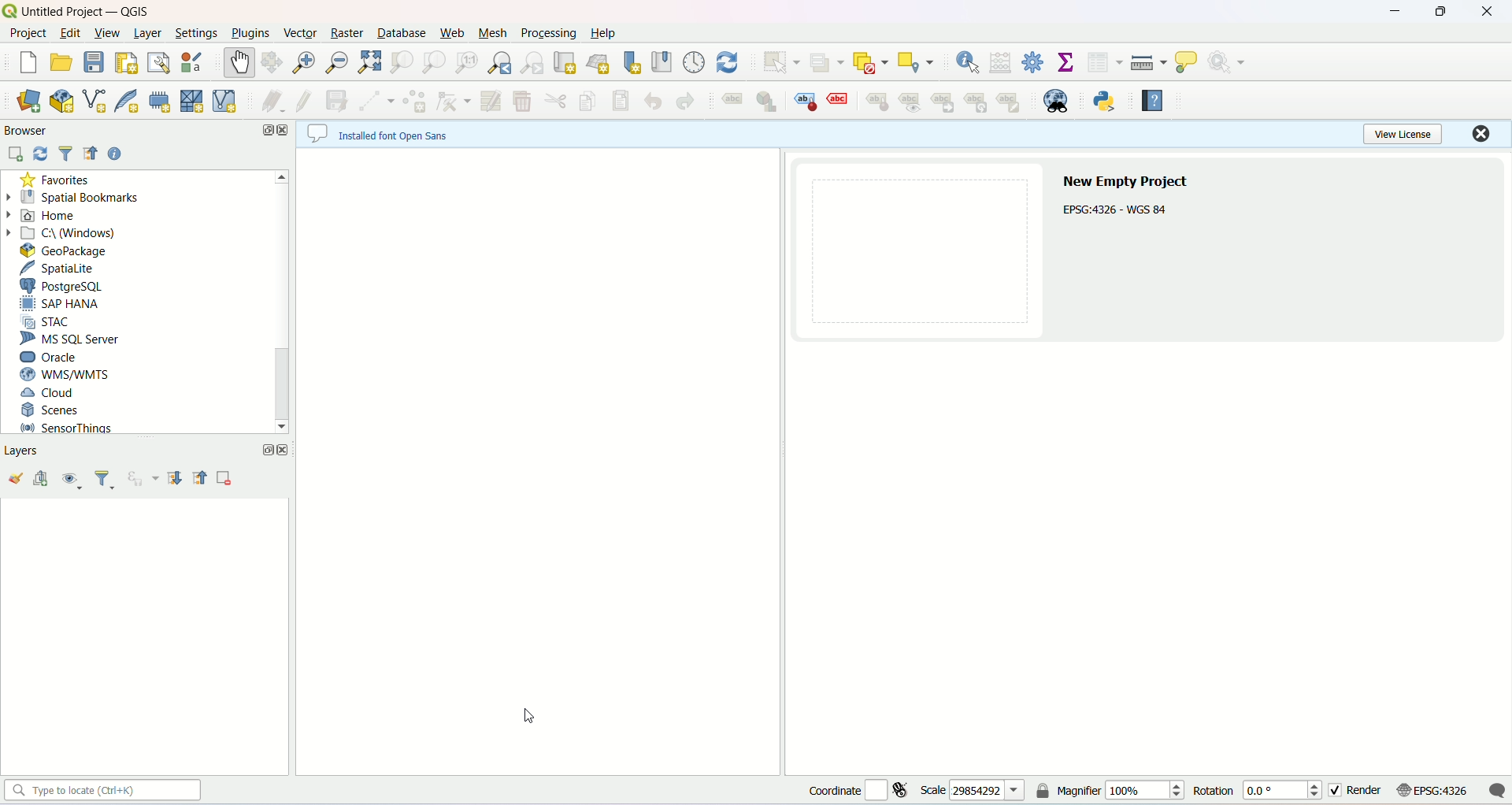 Image resolution: width=1512 pixels, height=805 pixels. I want to click on zoom last, so click(500, 62).